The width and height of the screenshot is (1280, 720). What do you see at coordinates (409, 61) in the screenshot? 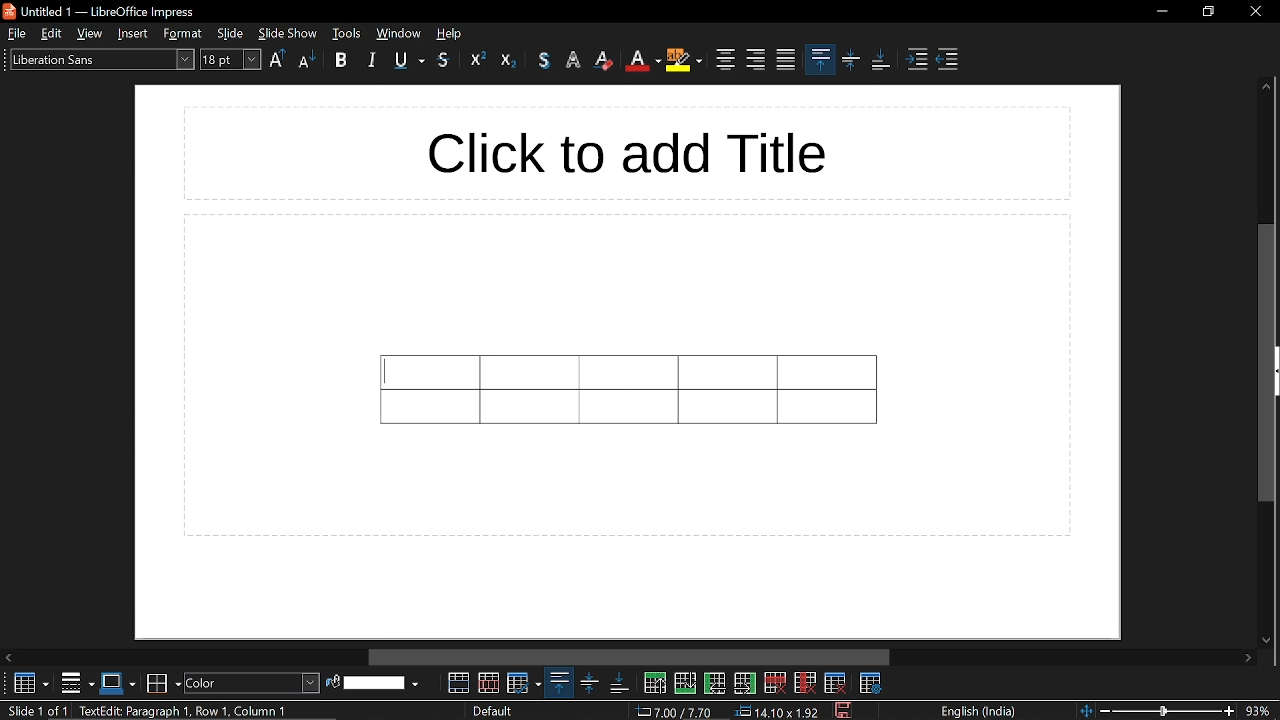
I see `underline` at bounding box center [409, 61].